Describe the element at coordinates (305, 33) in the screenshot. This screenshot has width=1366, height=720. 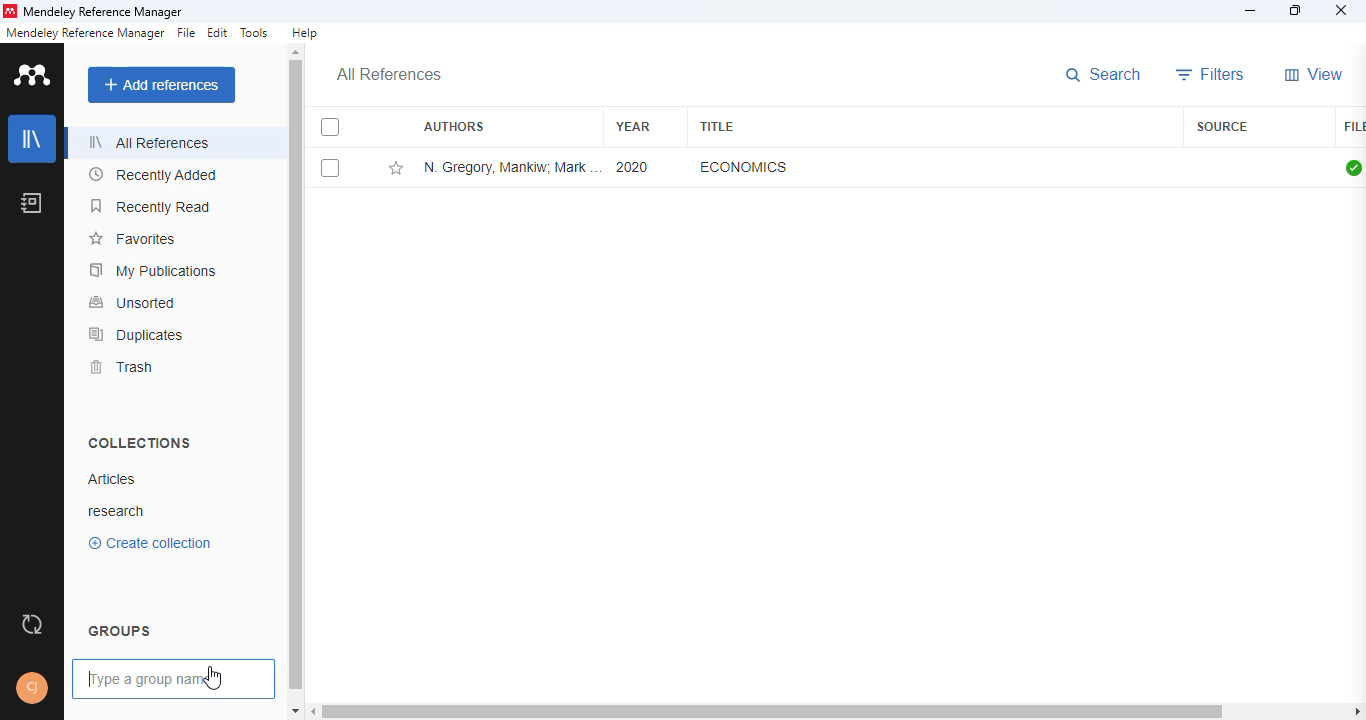
I see `help` at that location.